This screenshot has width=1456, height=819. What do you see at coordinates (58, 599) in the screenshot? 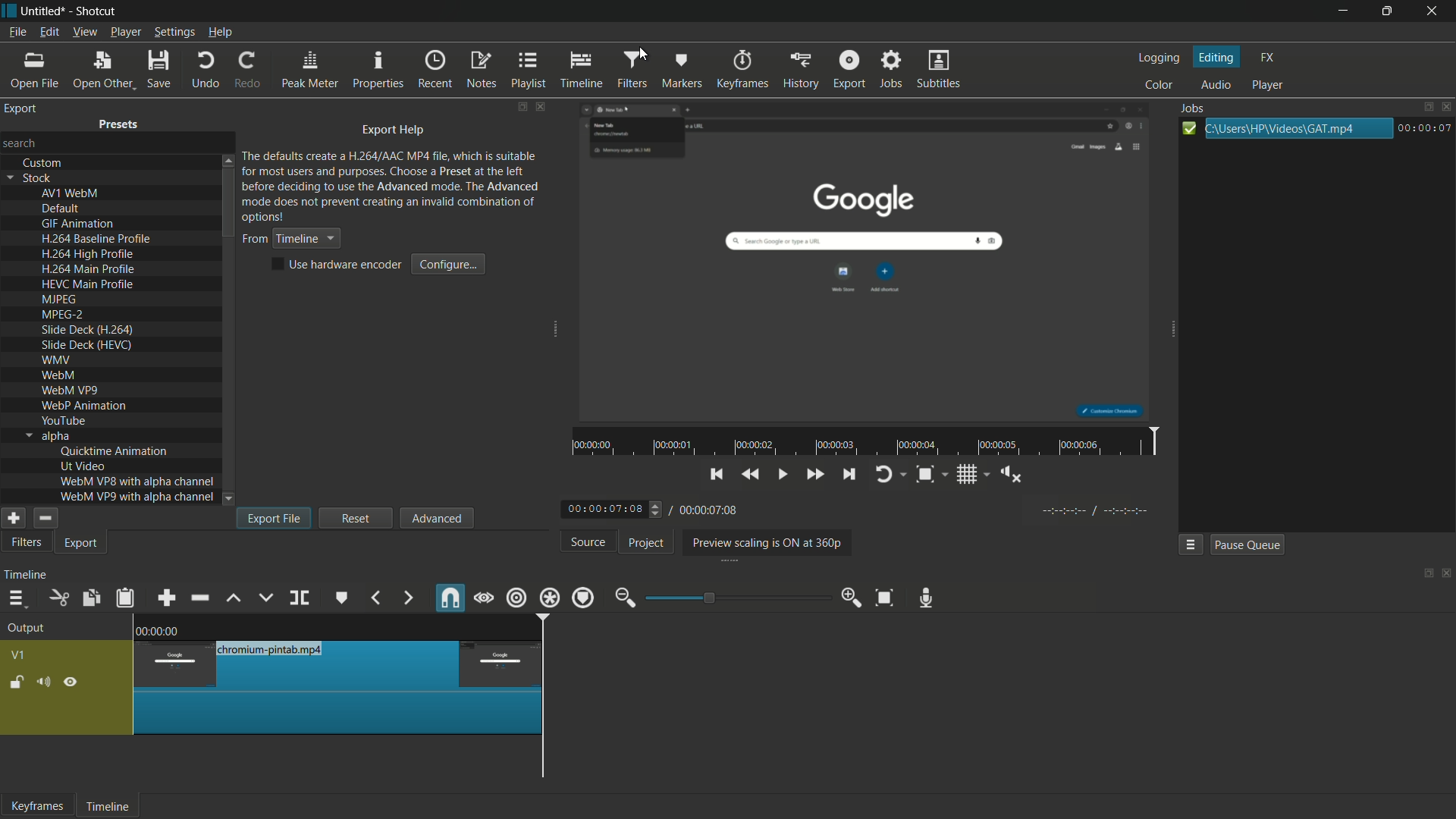
I see `cut` at bounding box center [58, 599].